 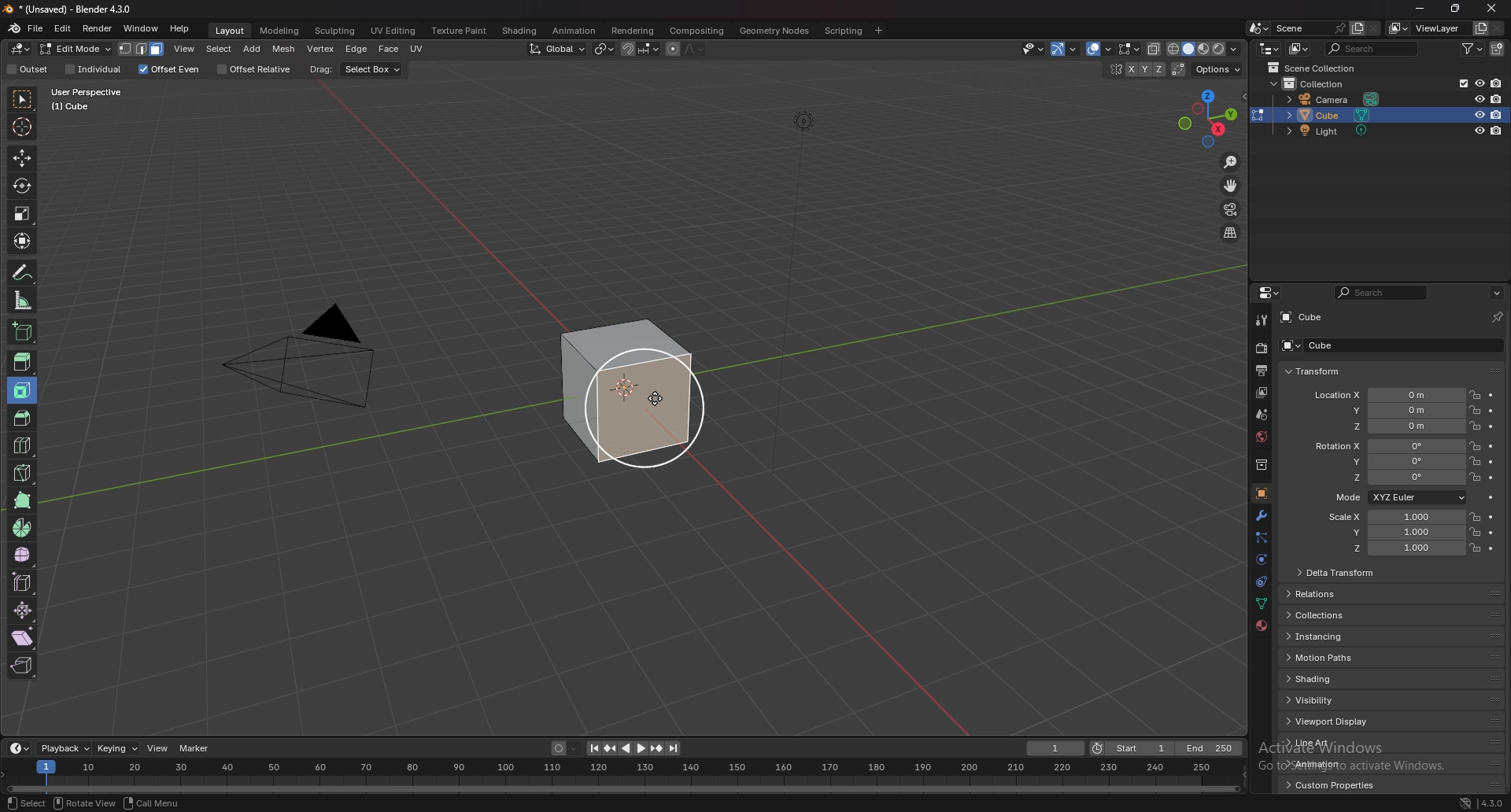 What do you see at coordinates (24, 472) in the screenshot?
I see `knife` at bounding box center [24, 472].